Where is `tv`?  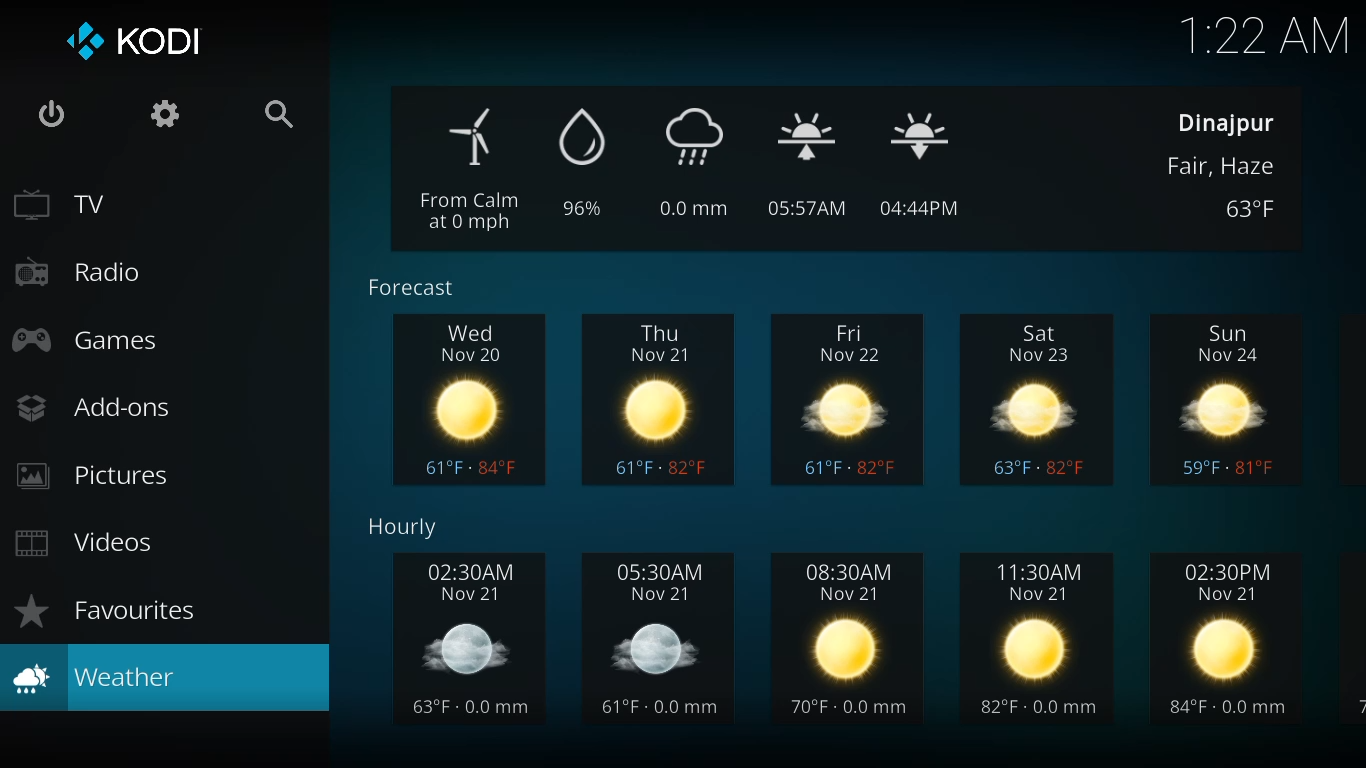 tv is located at coordinates (64, 205).